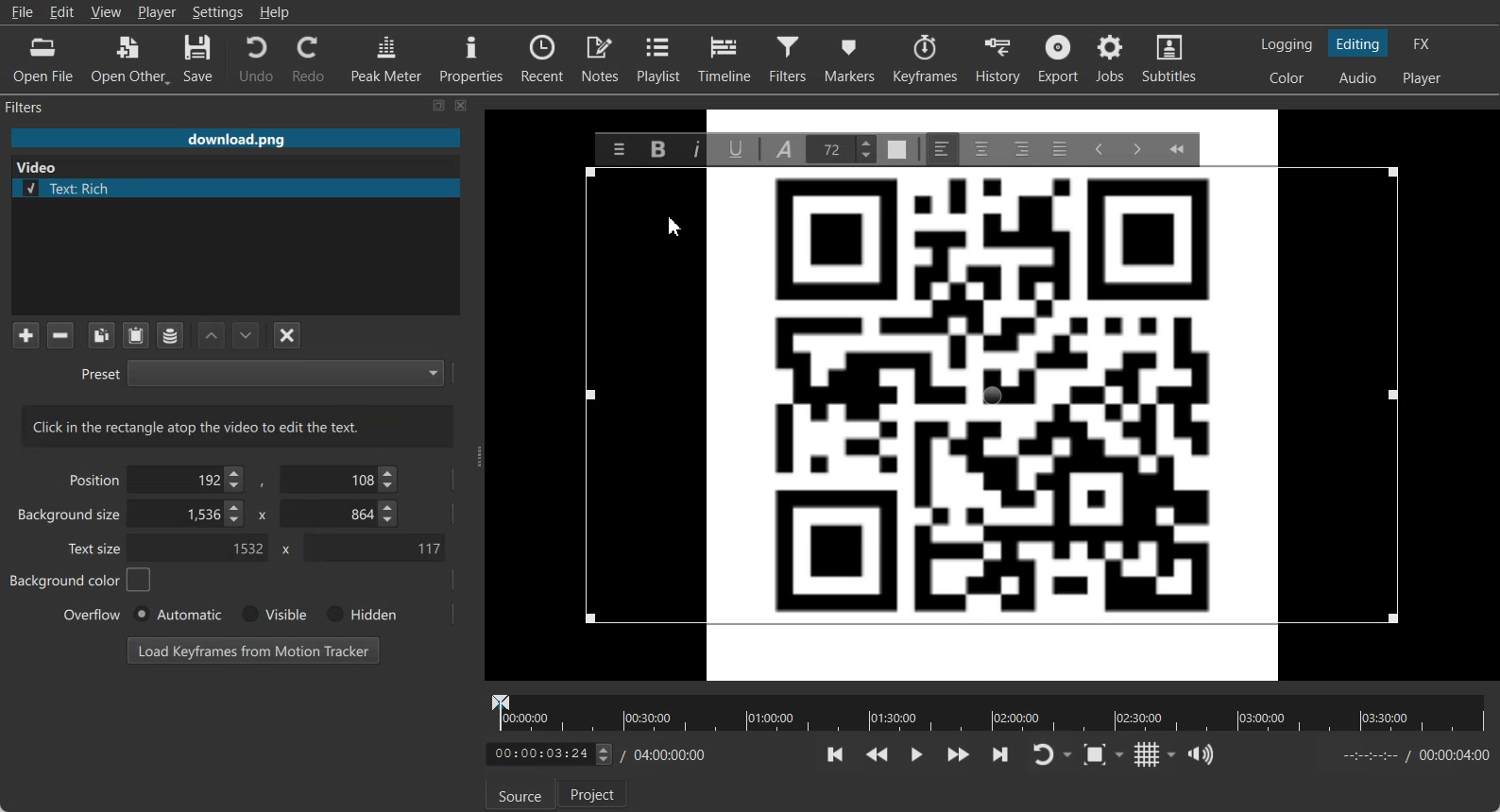 The height and width of the screenshot is (812, 1500). I want to click on Automatic, so click(177, 614).